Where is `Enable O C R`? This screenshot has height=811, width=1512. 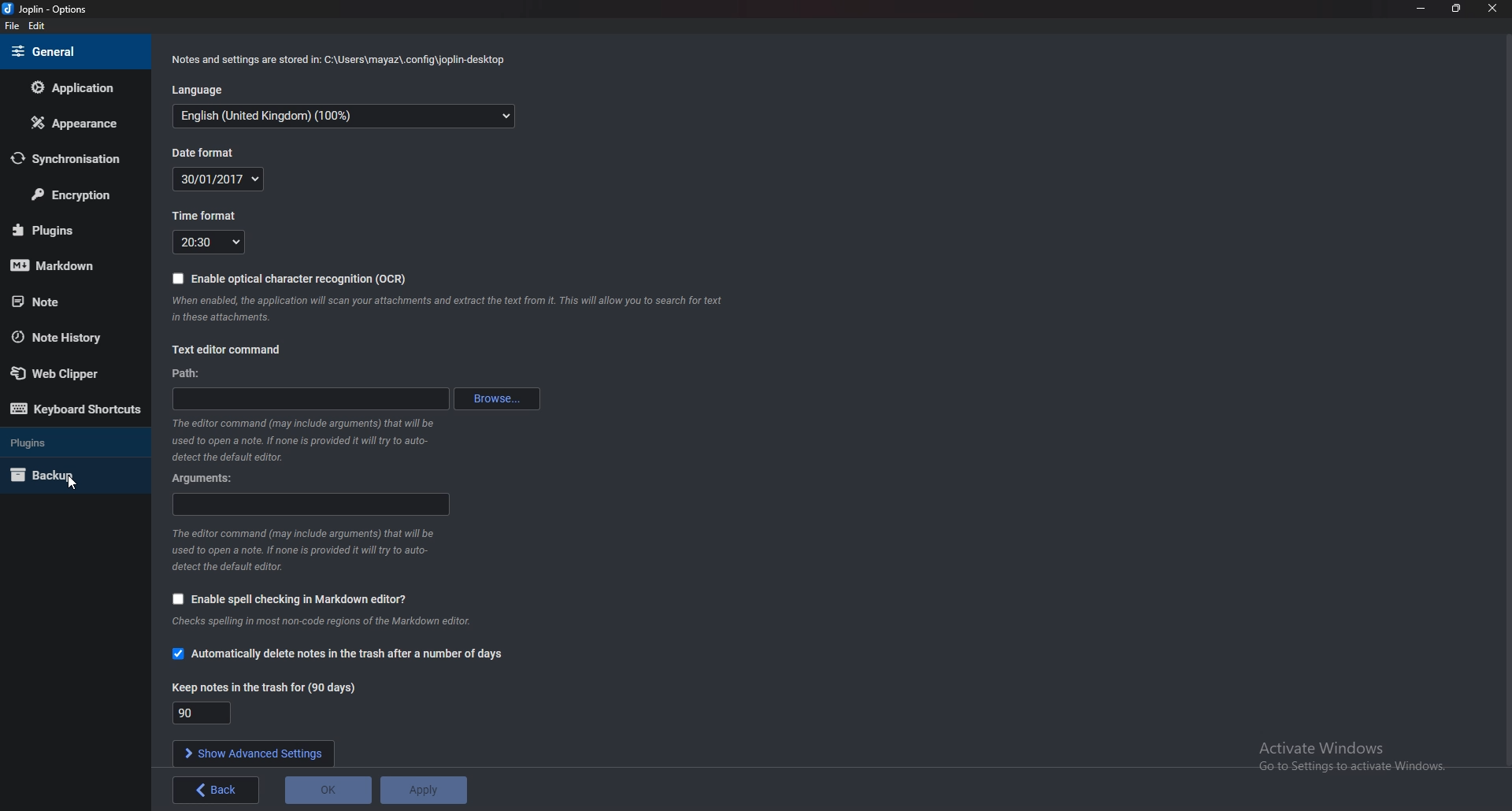 Enable O C R is located at coordinates (287, 277).